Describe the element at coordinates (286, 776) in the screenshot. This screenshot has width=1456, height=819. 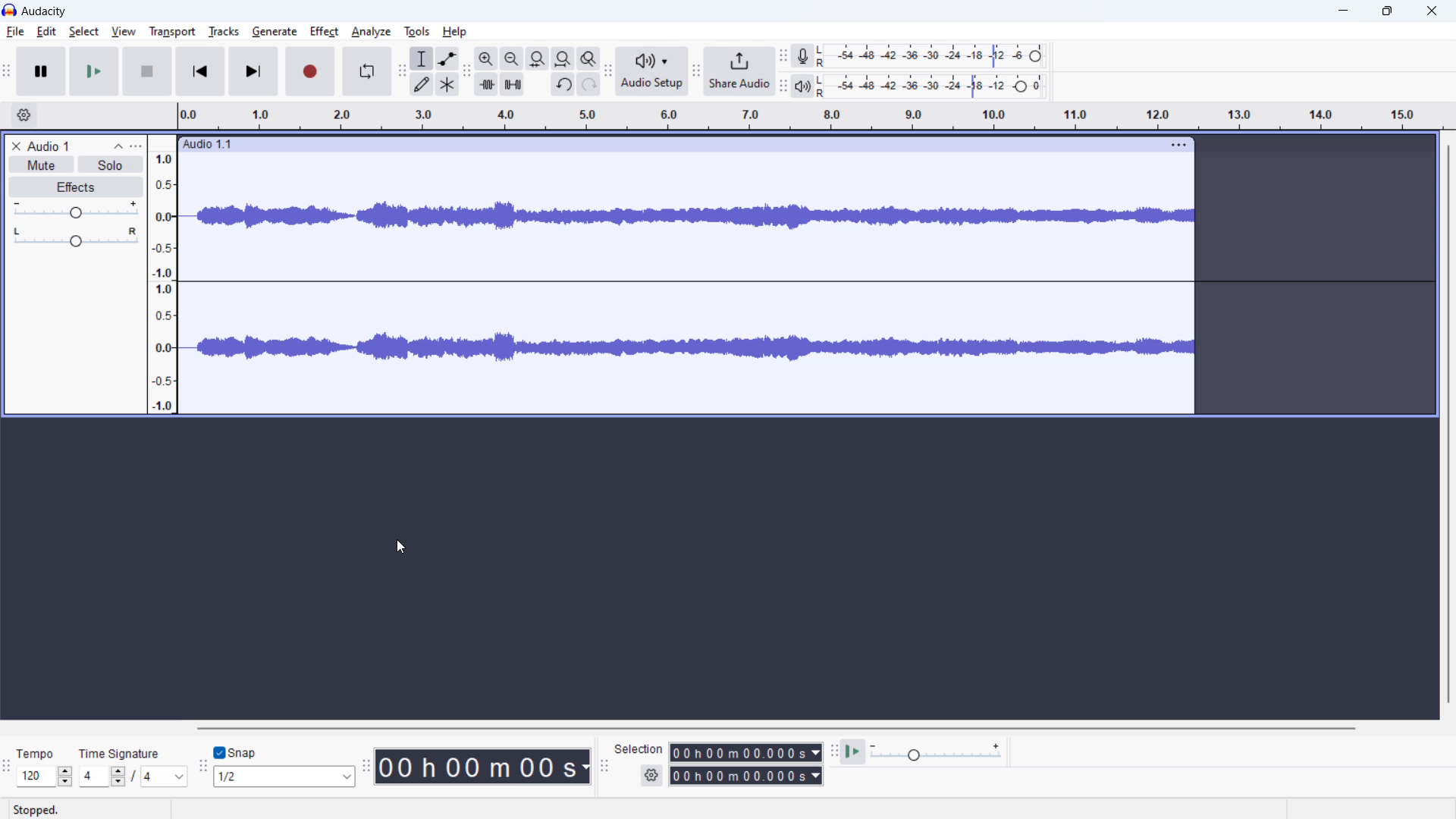
I see `select snapping` at that location.